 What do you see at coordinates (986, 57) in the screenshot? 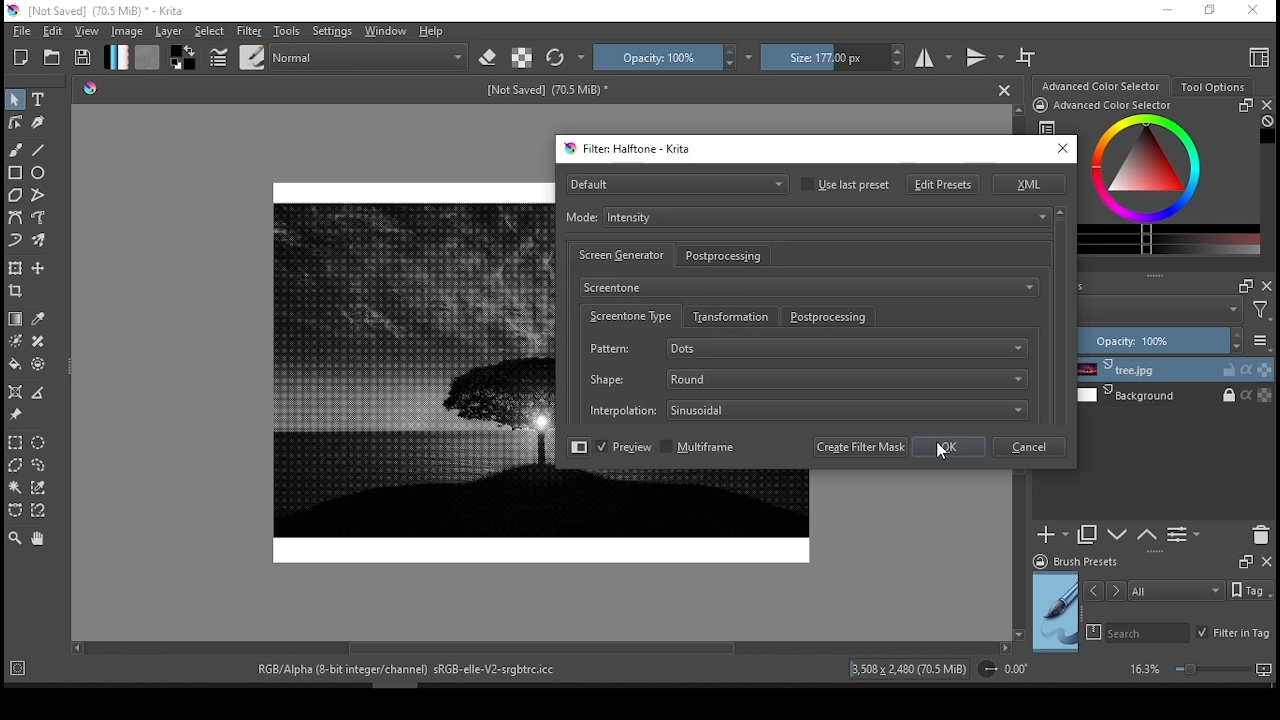
I see `vertical mirror mode` at bounding box center [986, 57].